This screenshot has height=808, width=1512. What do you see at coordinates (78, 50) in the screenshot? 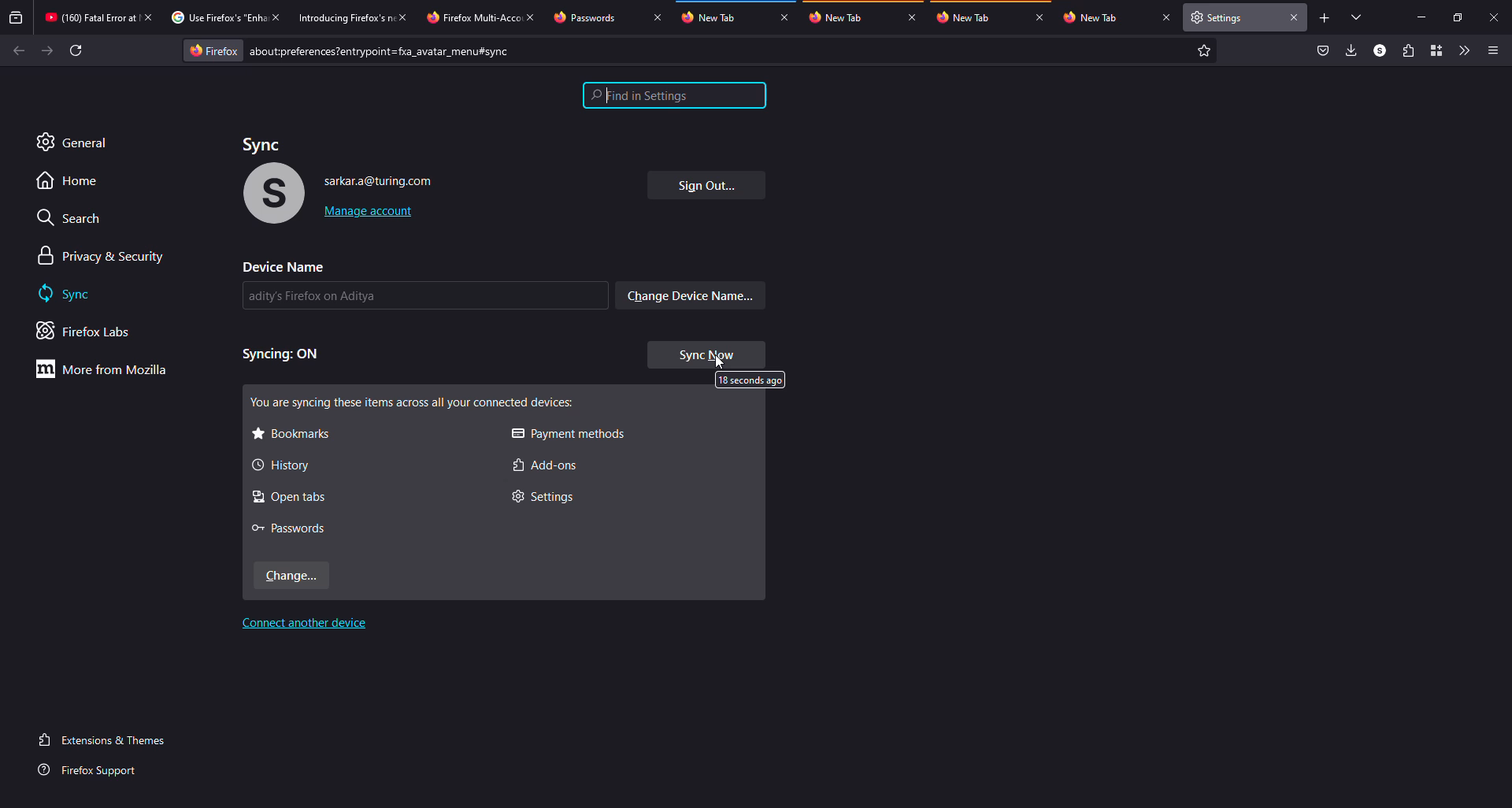
I see `refresh` at bounding box center [78, 50].